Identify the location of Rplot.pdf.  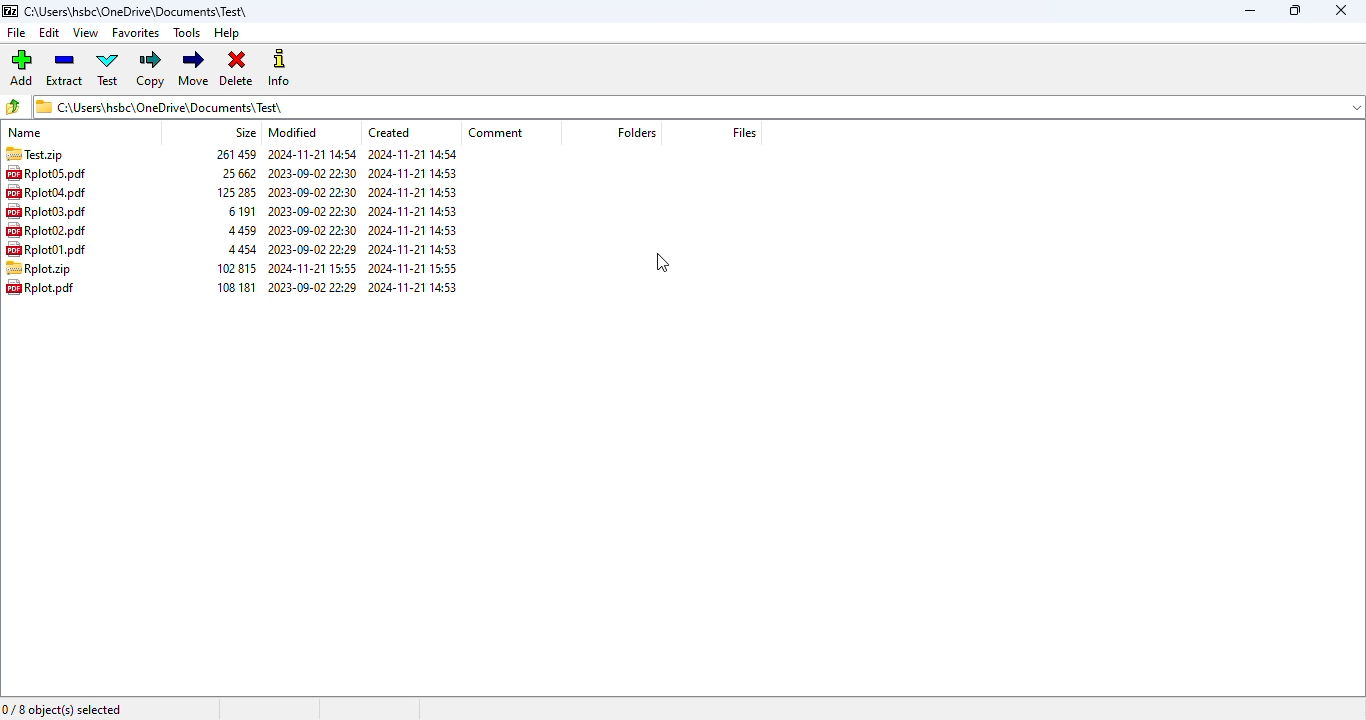
(47, 289).